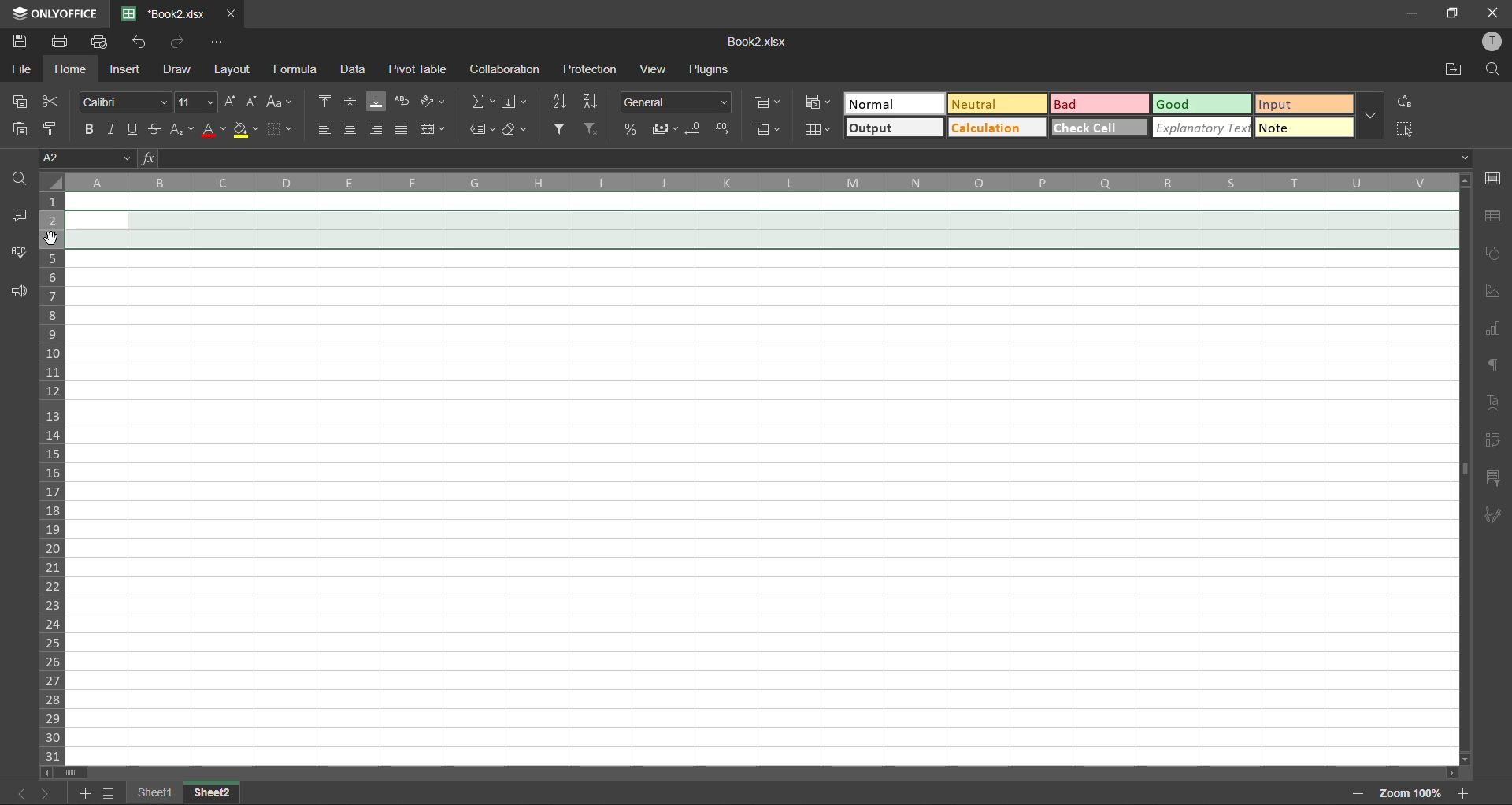 The width and height of the screenshot is (1512, 805). Describe the element at coordinates (229, 69) in the screenshot. I see `layout` at that location.